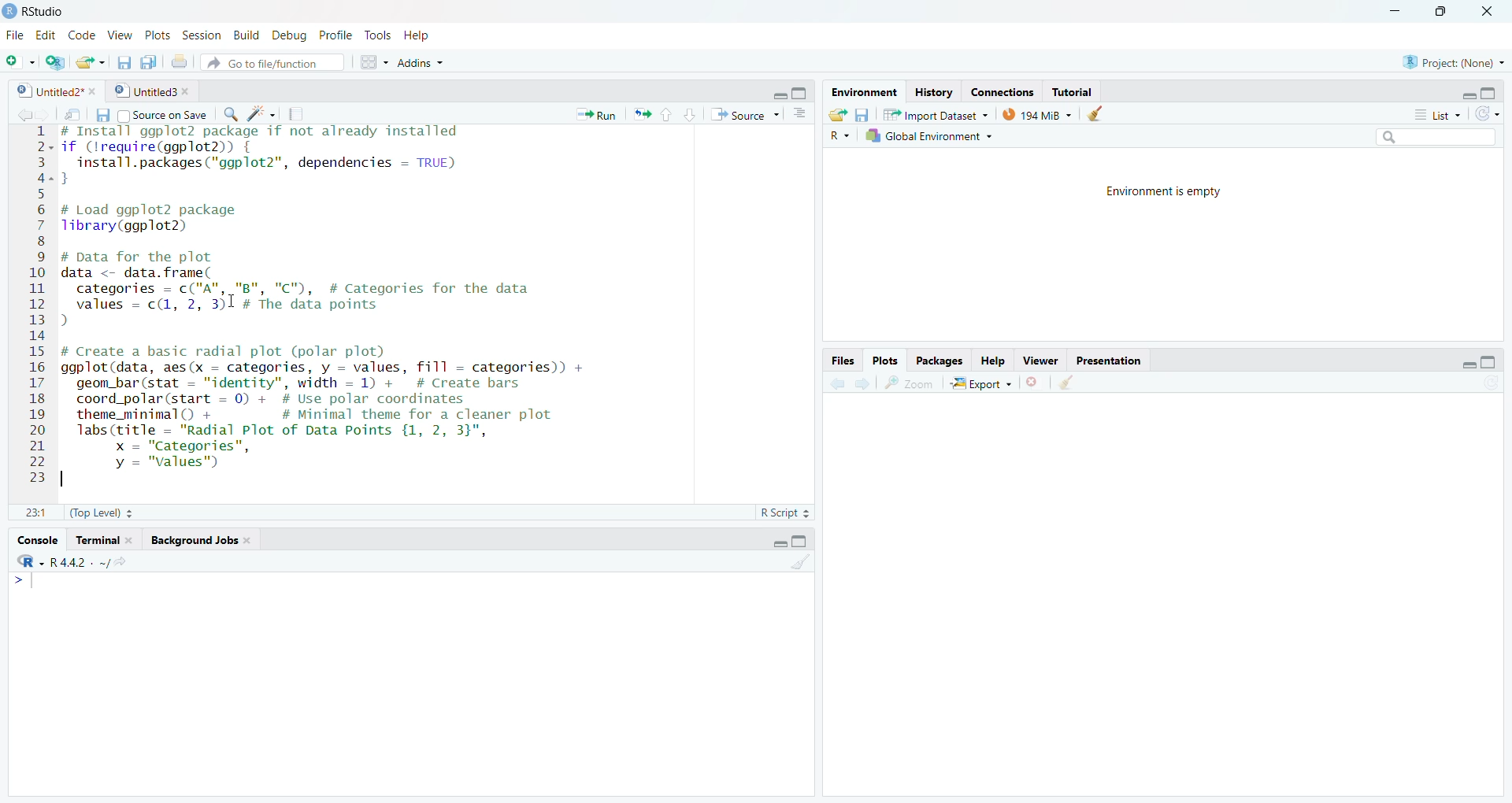  Describe the element at coordinates (1455, 61) in the screenshot. I see `Project: (None) ` at that location.